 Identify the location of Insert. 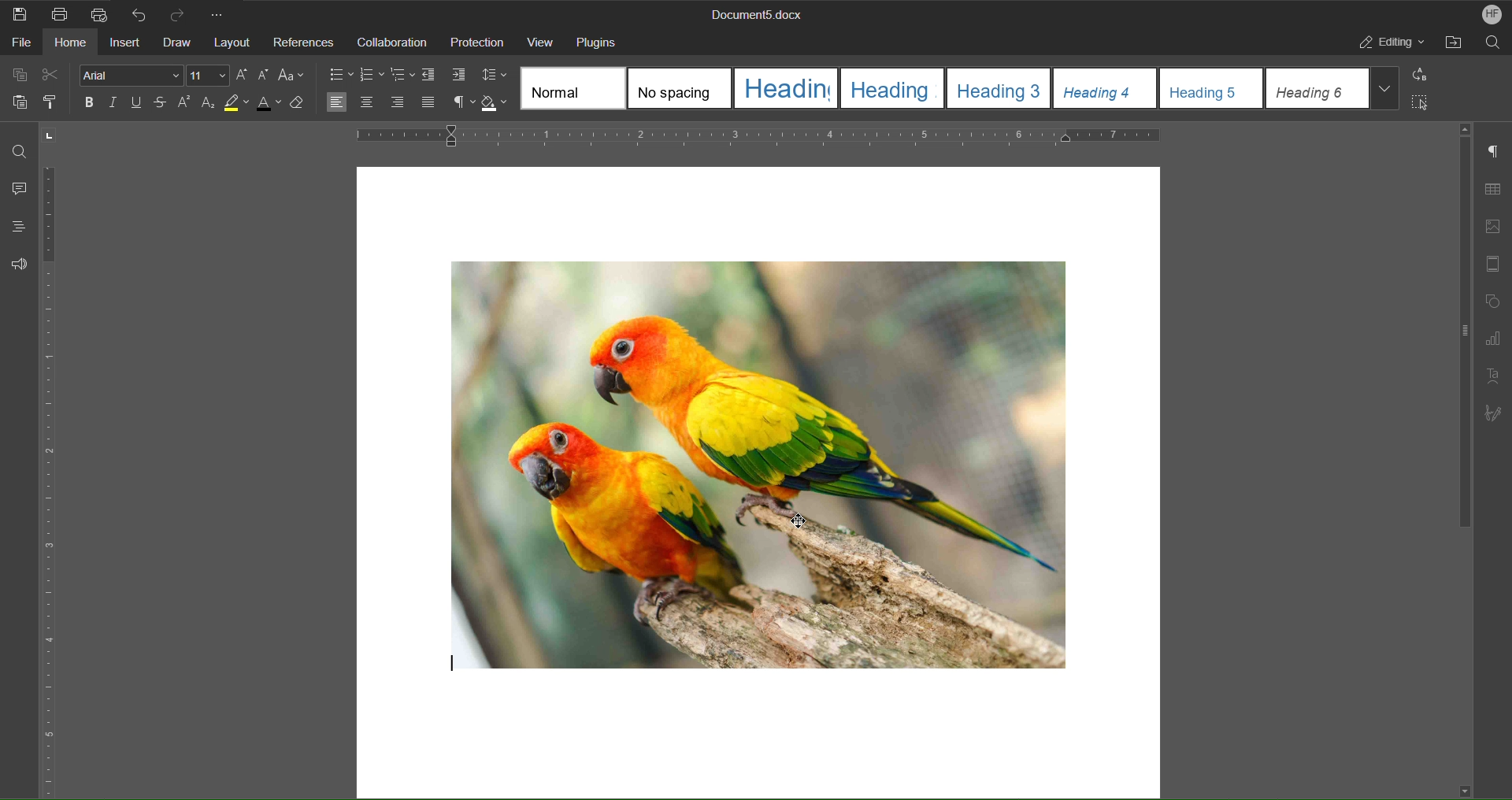
(127, 44).